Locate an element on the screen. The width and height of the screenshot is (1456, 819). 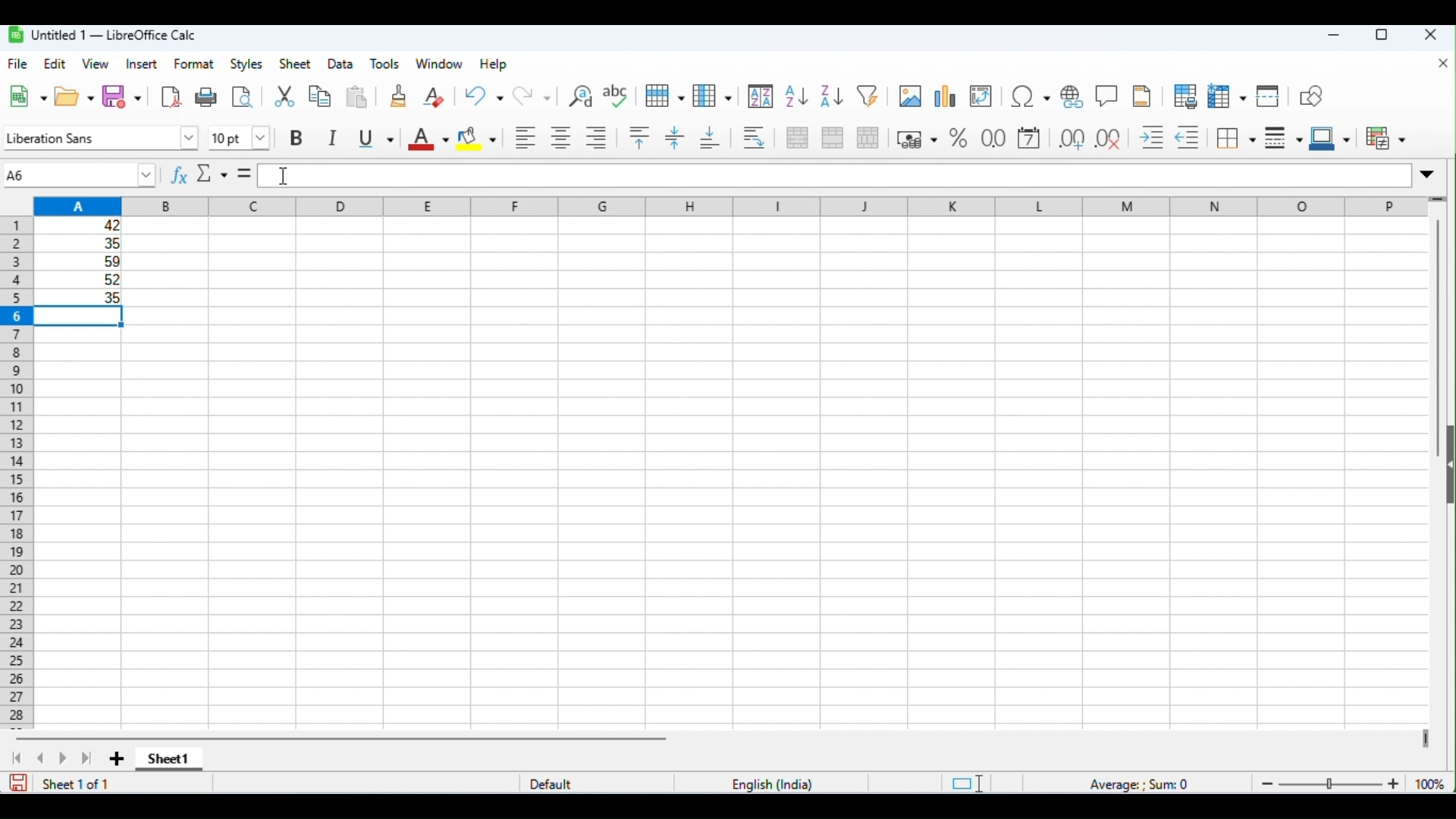
sheet is located at coordinates (294, 64).